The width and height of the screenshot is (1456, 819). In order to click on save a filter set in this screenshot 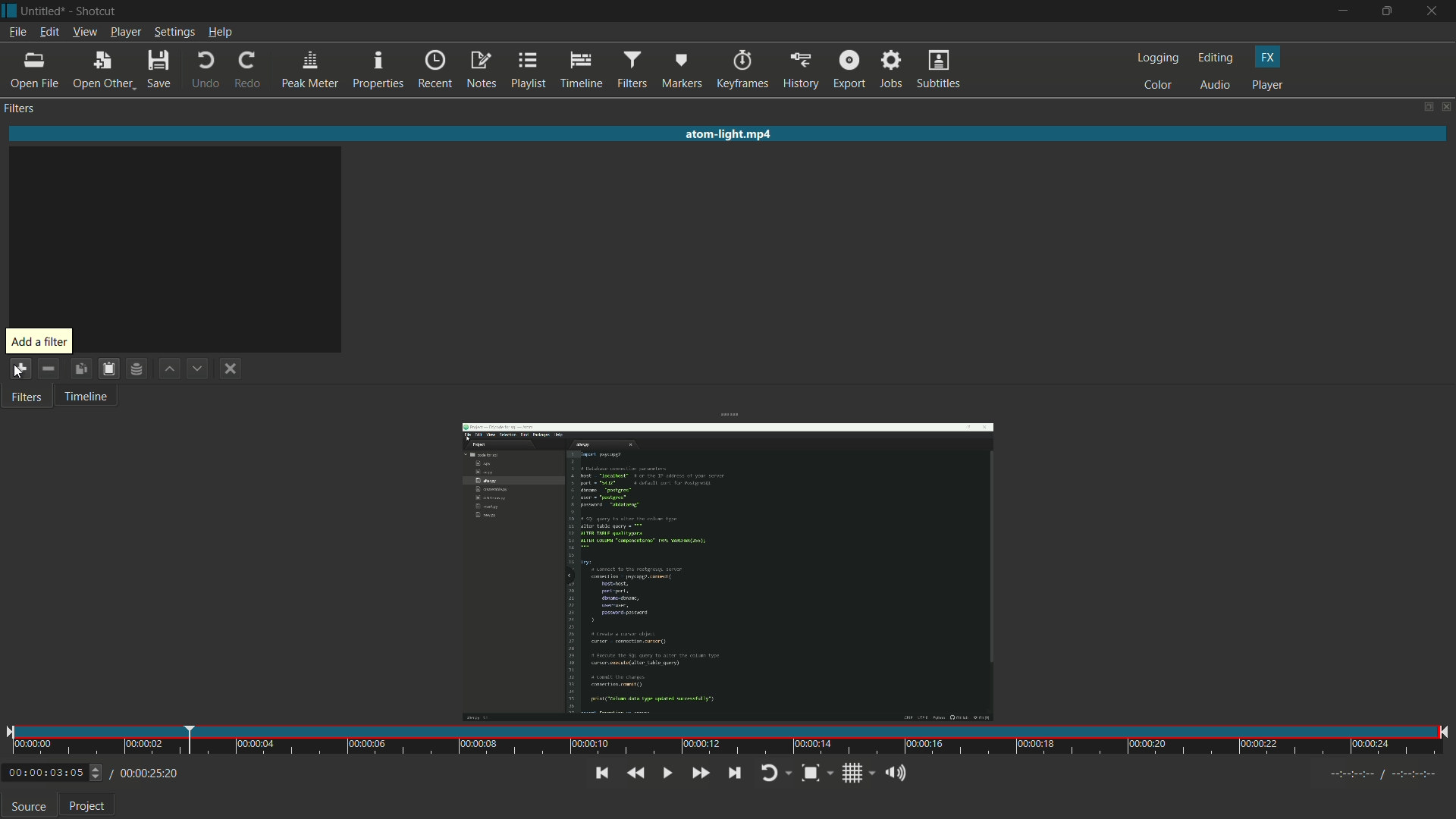, I will do `click(135, 369)`.